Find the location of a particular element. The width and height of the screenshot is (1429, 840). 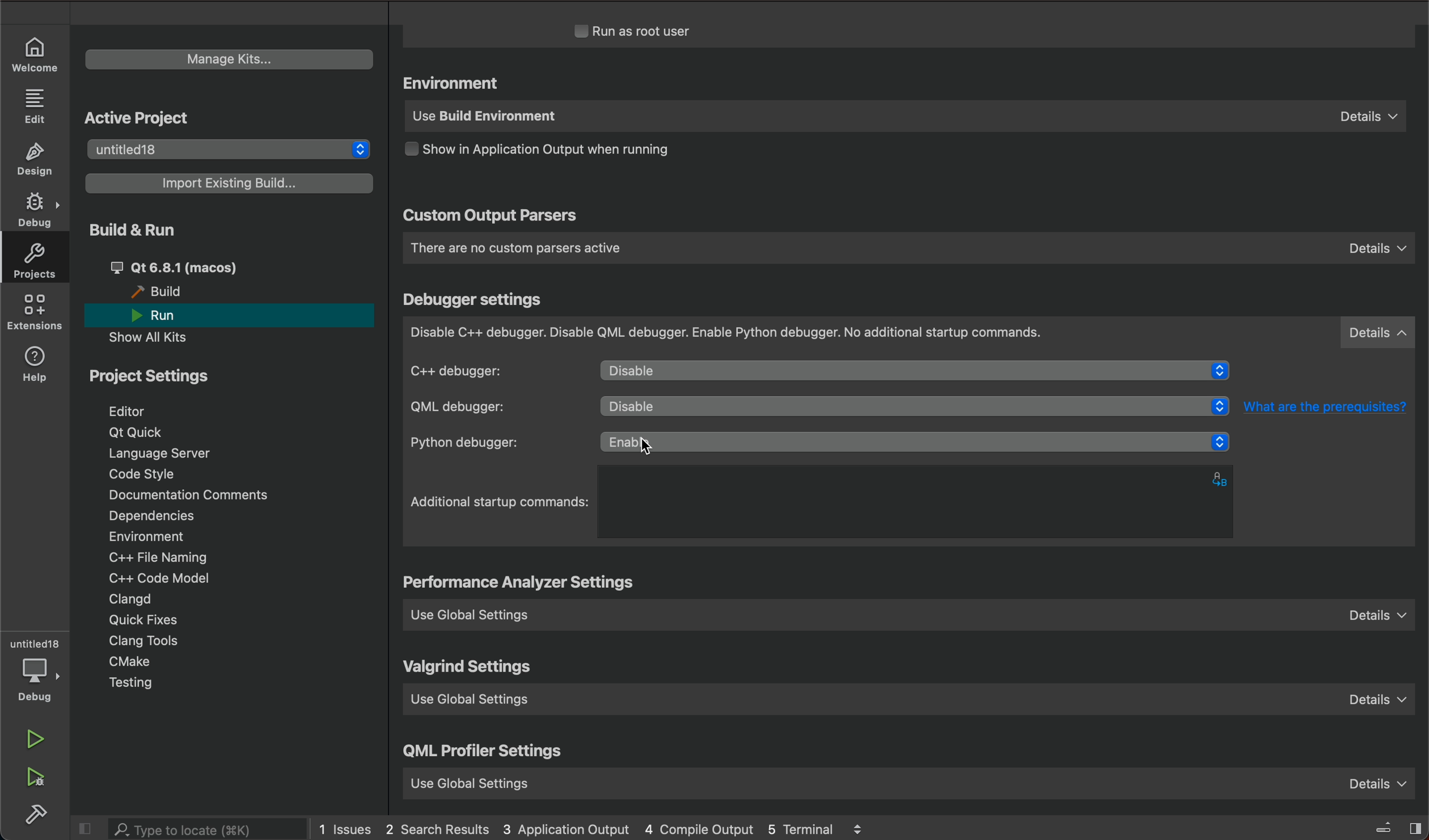

testing is located at coordinates (133, 683).